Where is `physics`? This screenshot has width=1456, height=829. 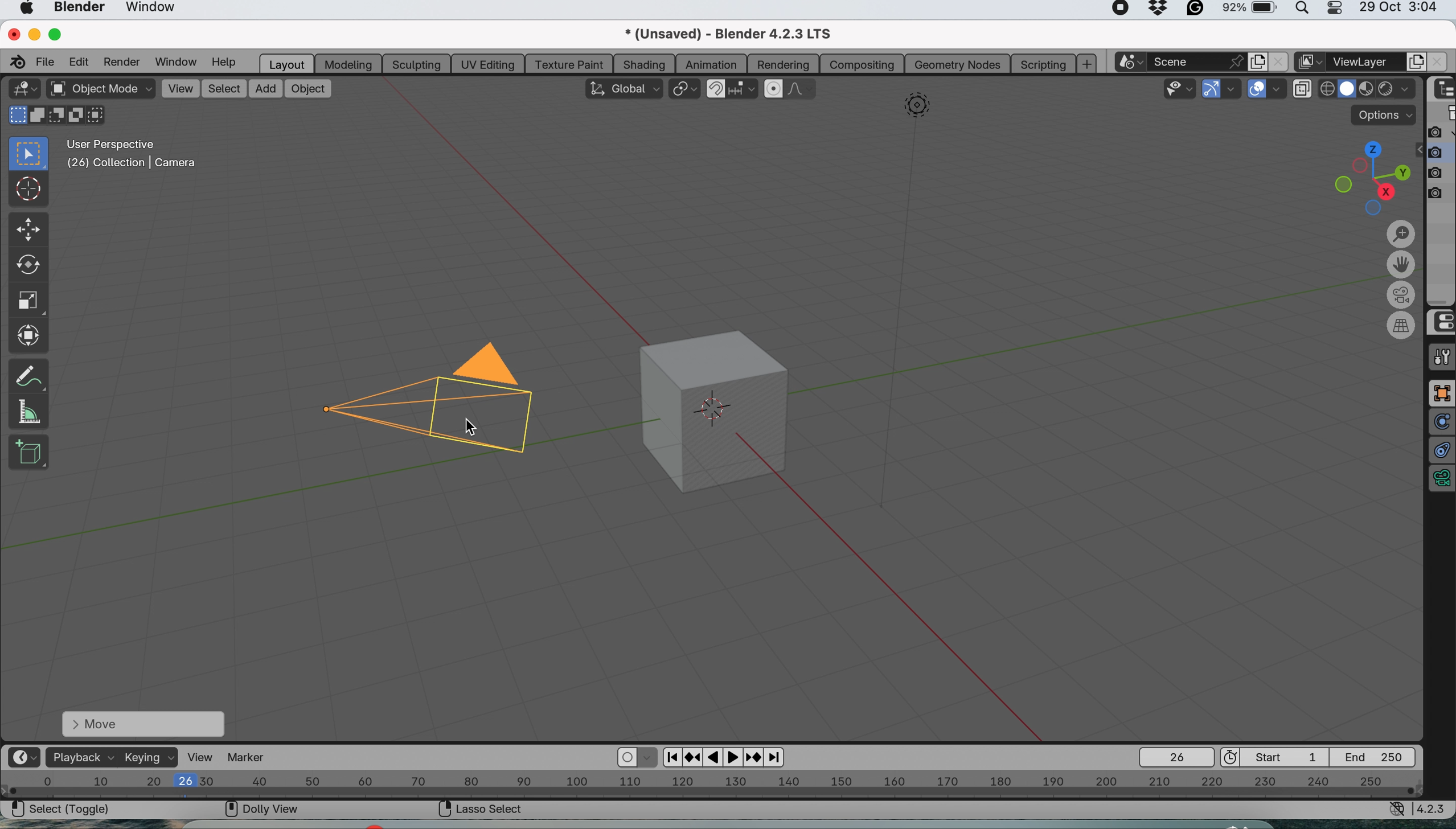 physics is located at coordinates (1441, 422).